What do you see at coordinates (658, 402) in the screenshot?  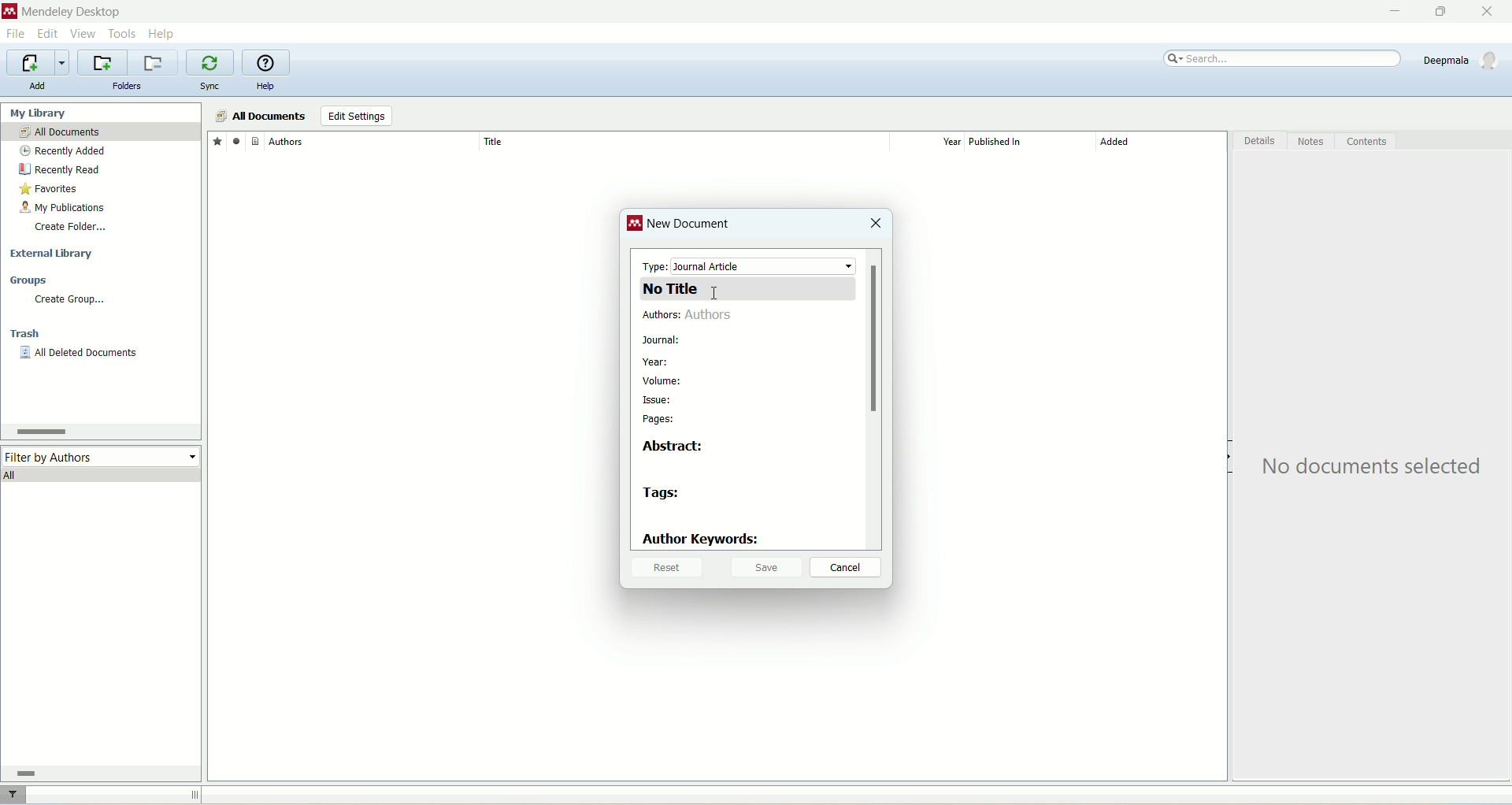 I see `issue` at bounding box center [658, 402].